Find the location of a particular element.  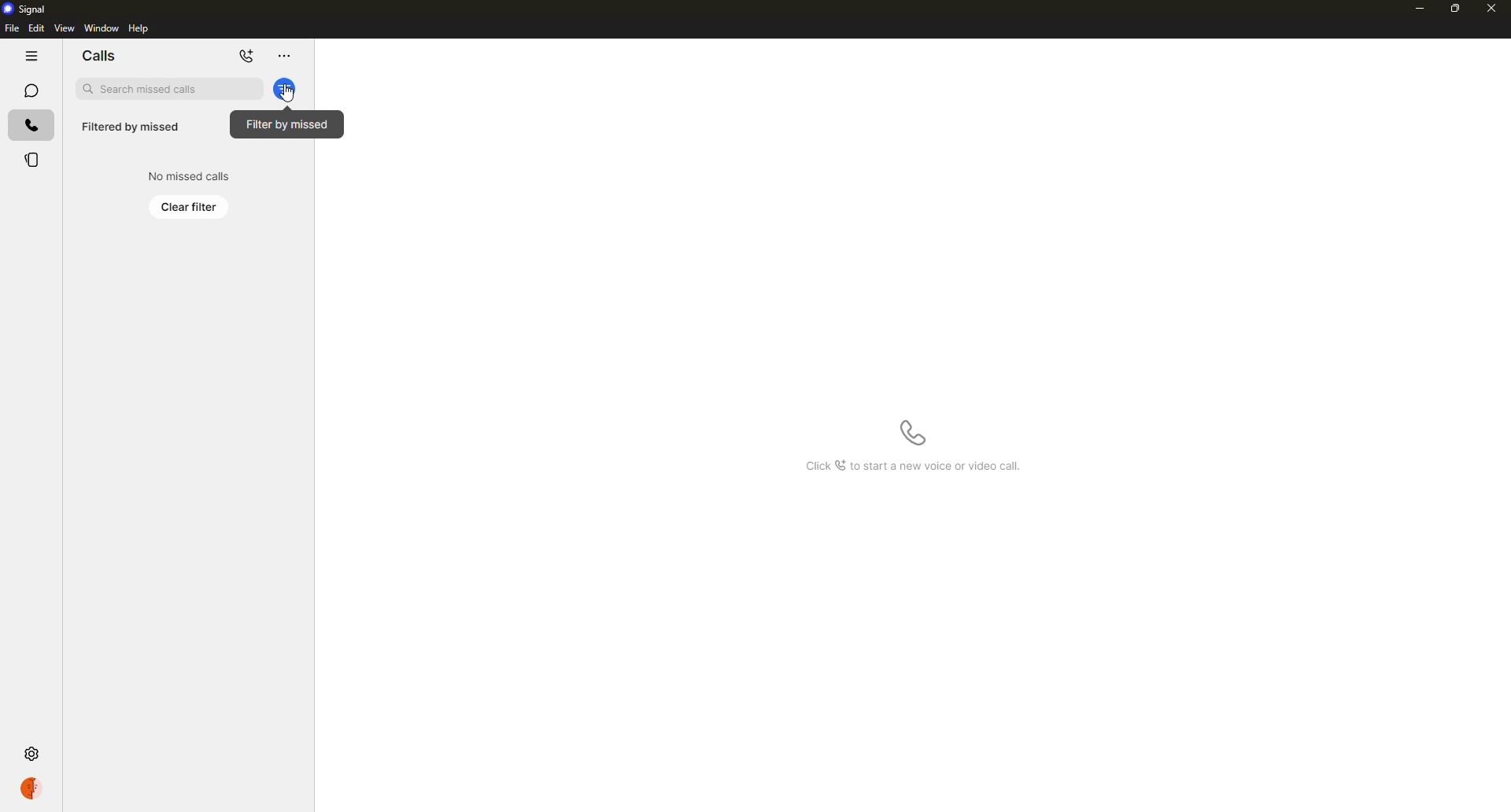

new call is located at coordinates (249, 57).